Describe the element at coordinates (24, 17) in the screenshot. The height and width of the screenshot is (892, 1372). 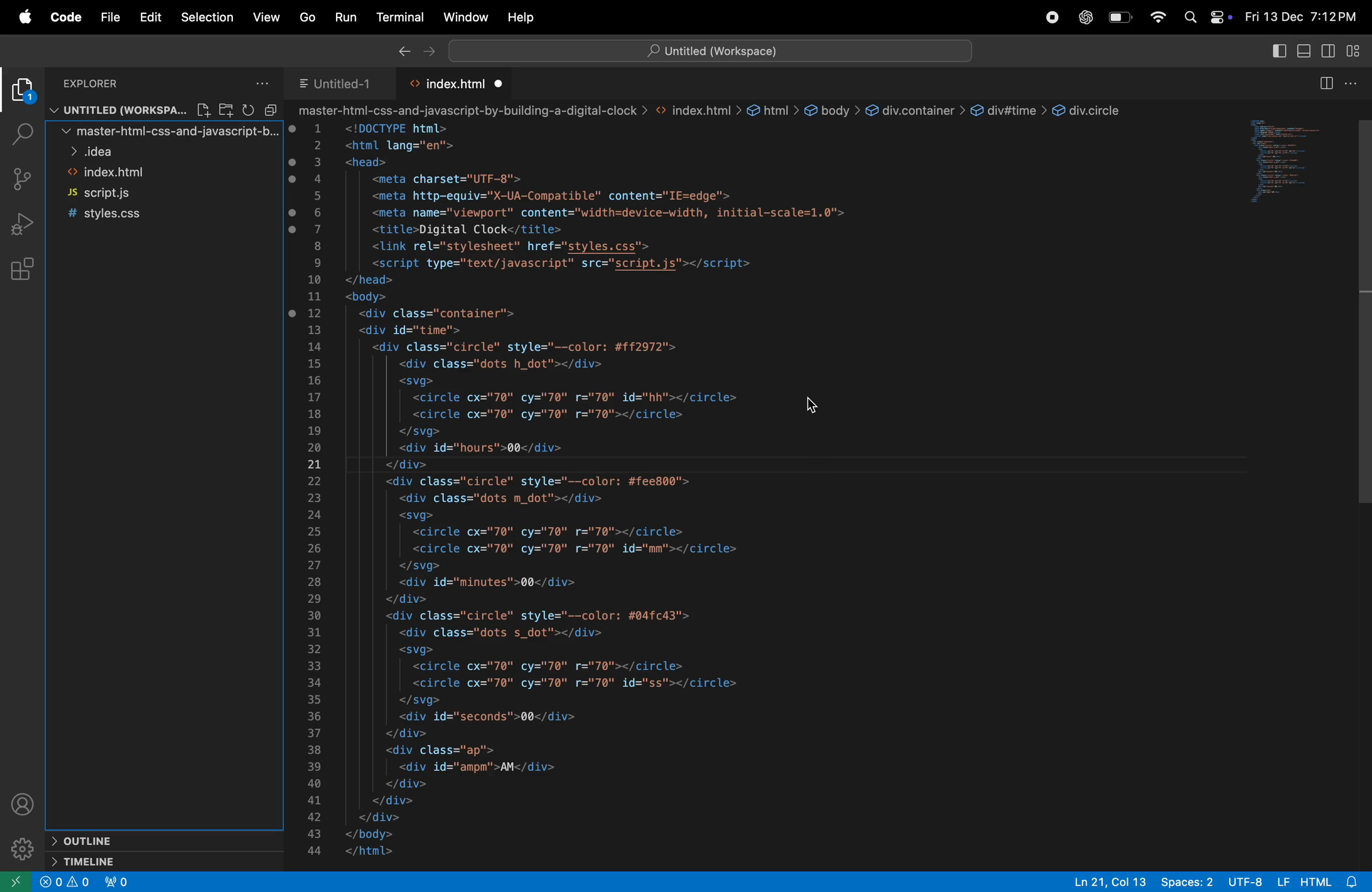
I see `apple menu` at that location.